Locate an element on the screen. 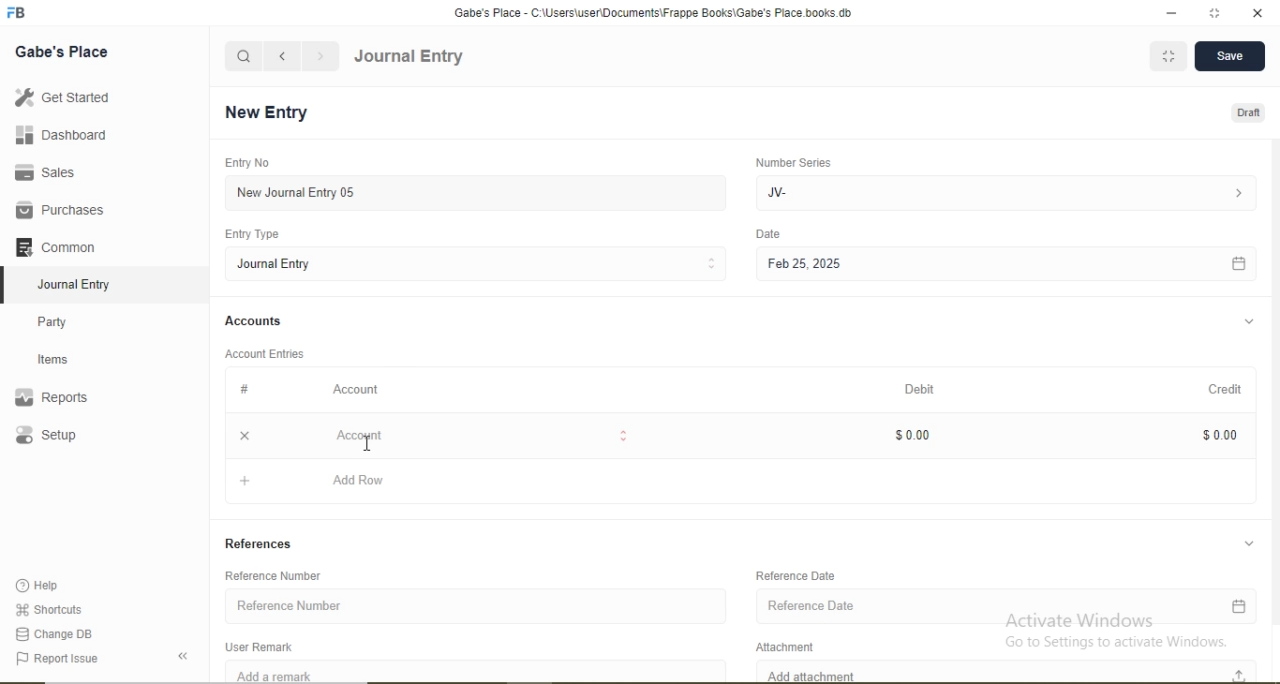  Accounts. is located at coordinates (254, 321).